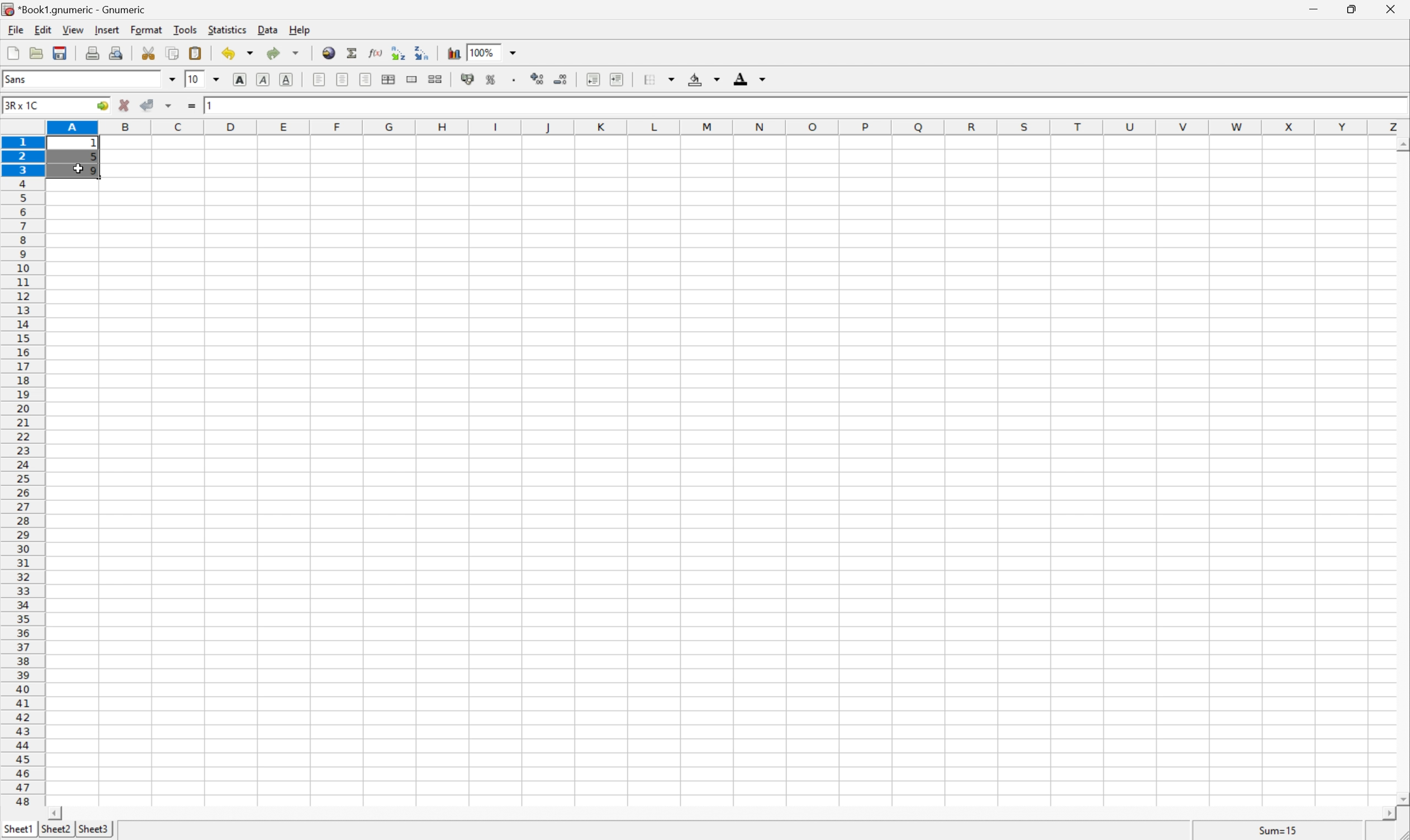  Describe the element at coordinates (343, 79) in the screenshot. I see `align center` at that location.